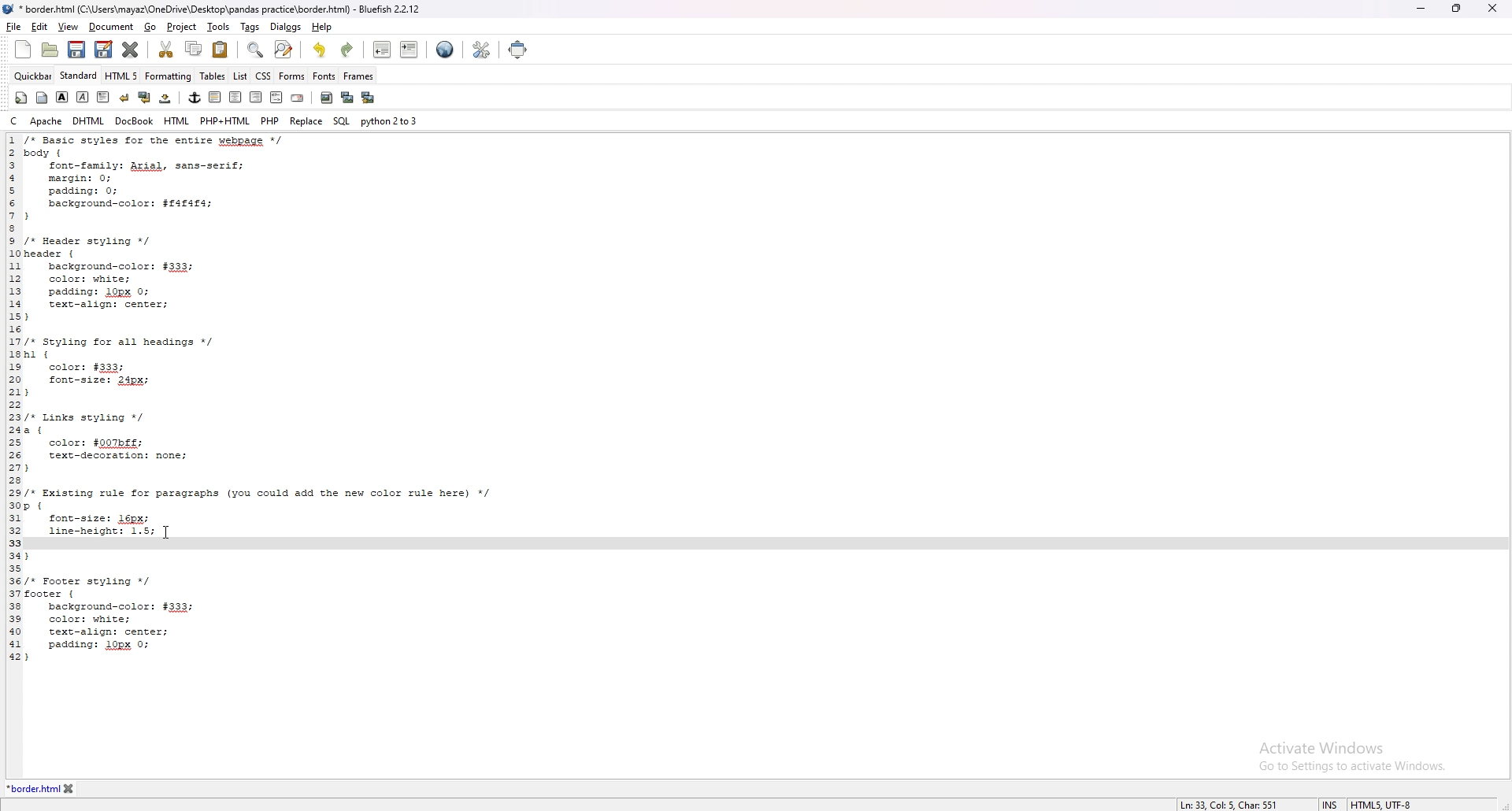 This screenshot has height=811, width=1512. Describe the element at coordinates (249, 26) in the screenshot. I see `tags` at that location.